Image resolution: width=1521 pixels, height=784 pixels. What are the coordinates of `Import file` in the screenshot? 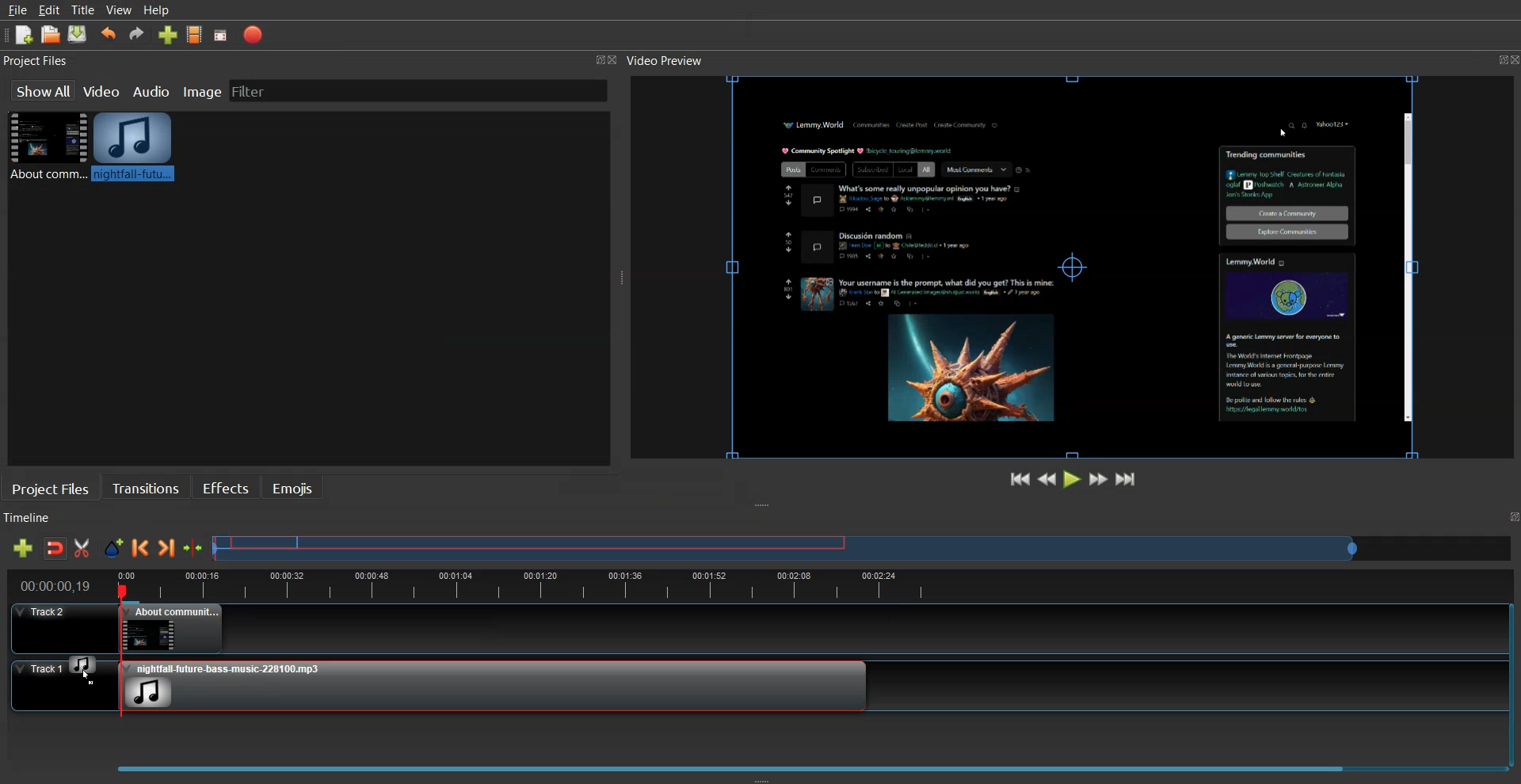 It's located at (169, 34).